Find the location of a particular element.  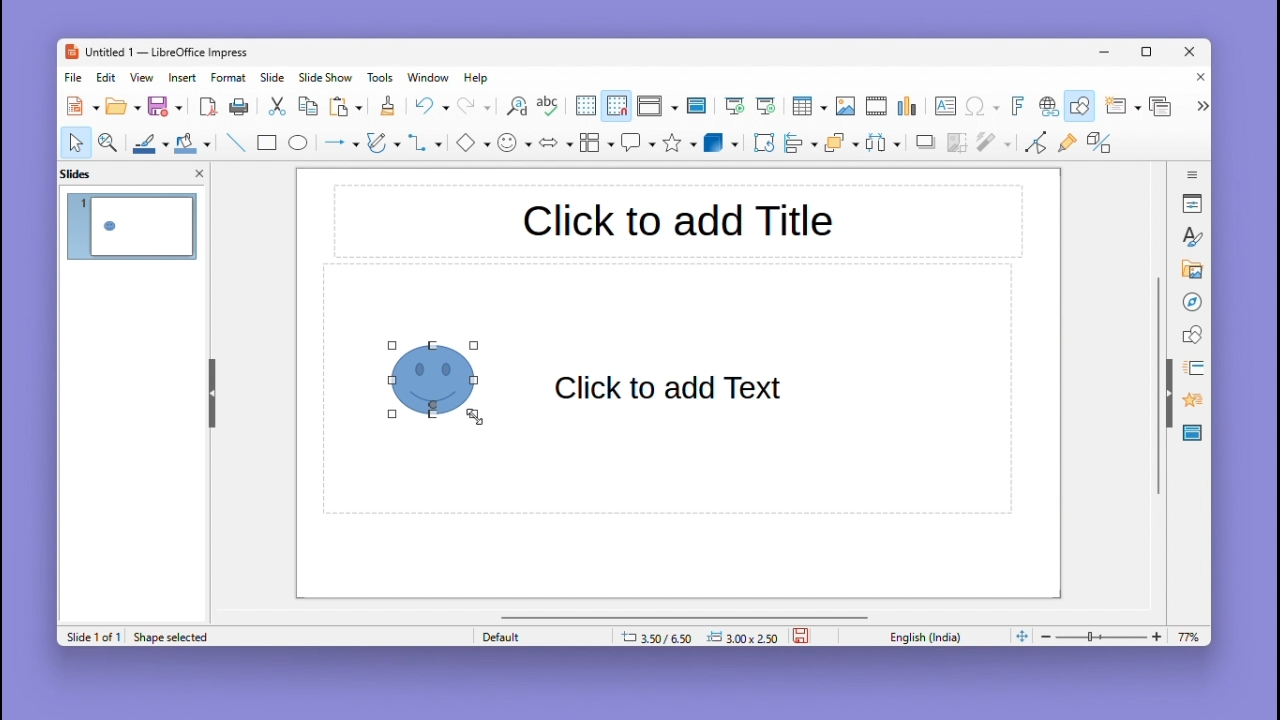

Duplicate slide is located at coordinates (1163, 106).